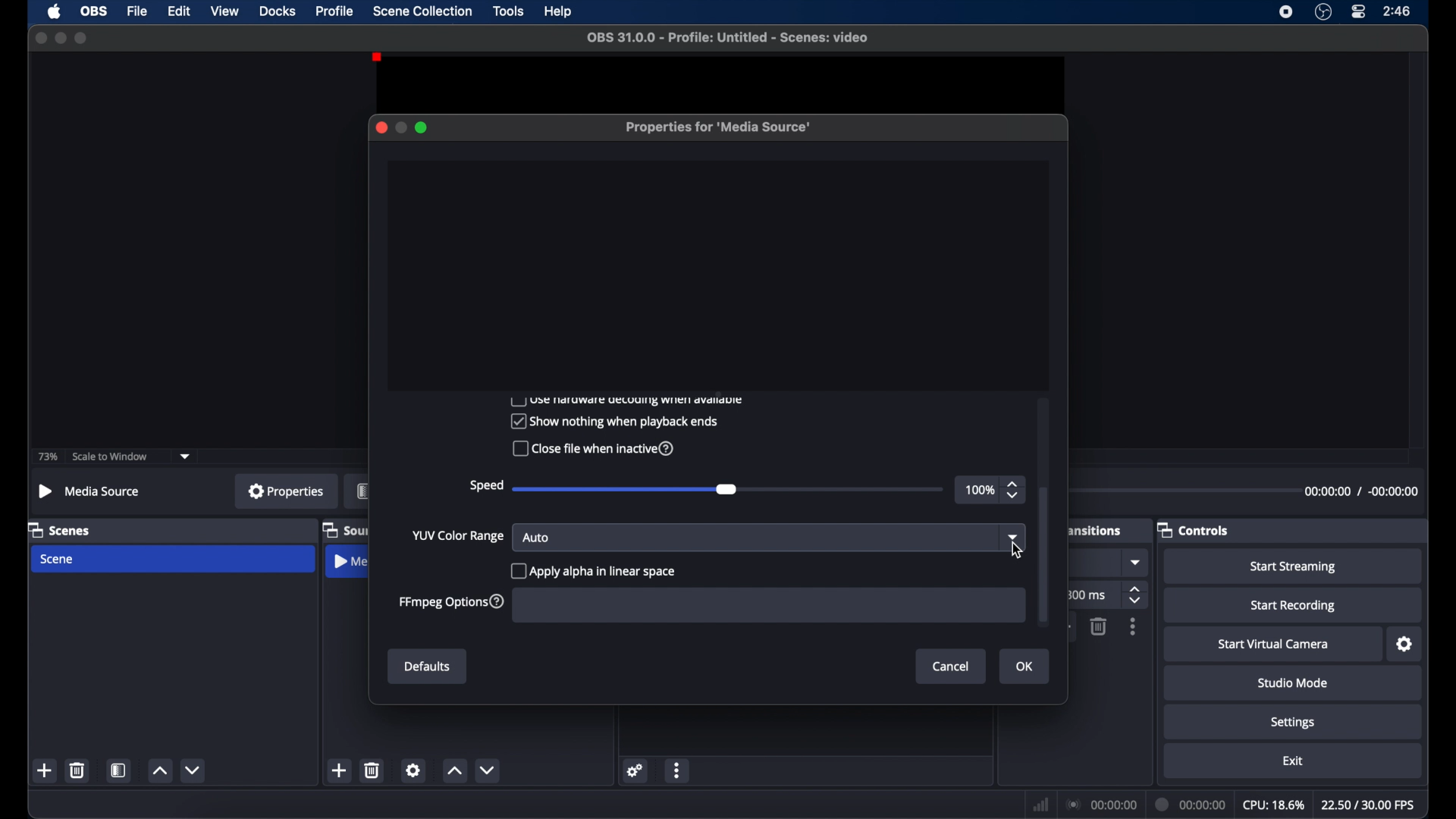  I want to click on Show nothing when playback ends, so click(613, 421).